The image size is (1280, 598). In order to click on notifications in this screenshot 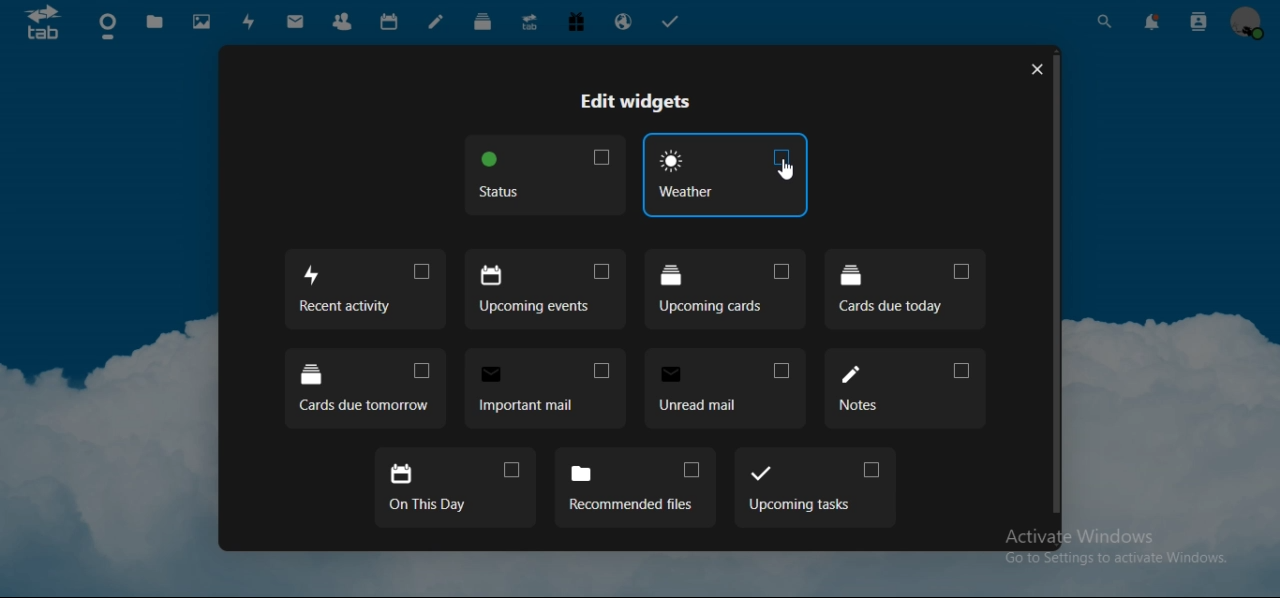, I will do `click(1149, 22)`.